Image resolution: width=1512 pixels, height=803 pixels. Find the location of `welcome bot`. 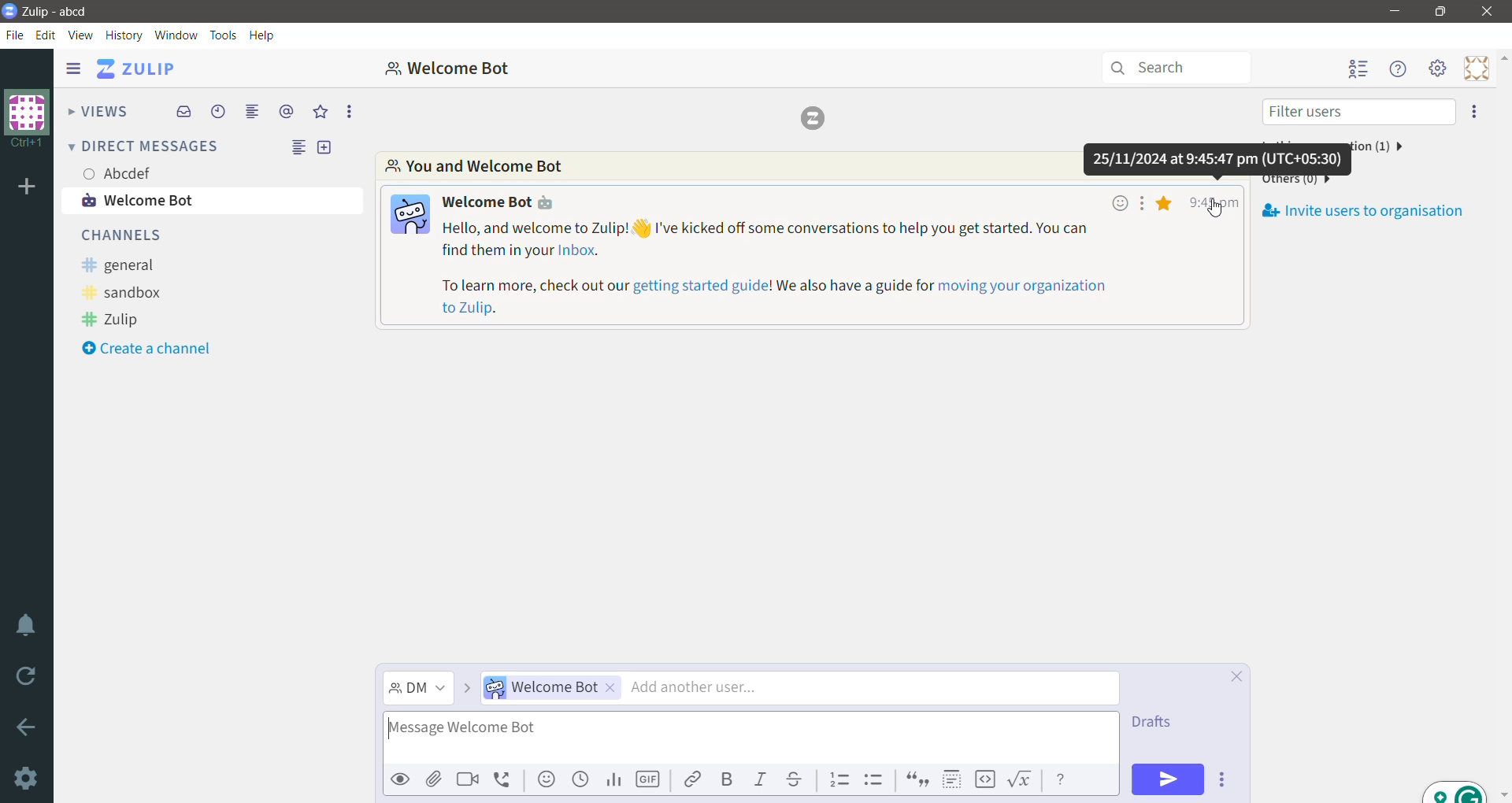

welcome bot is located at coordinates (214, 200).